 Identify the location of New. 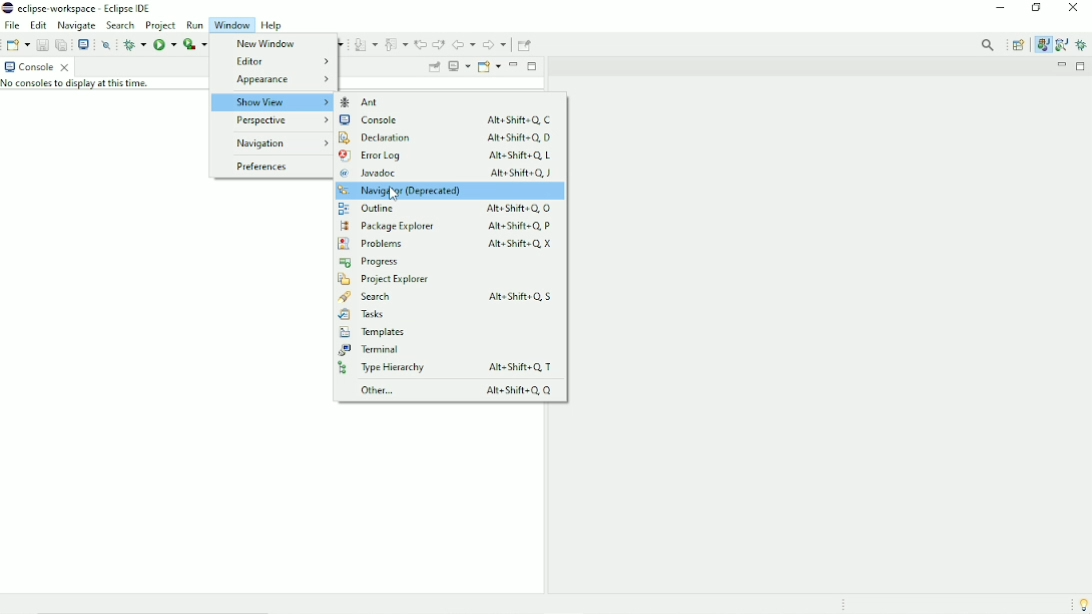
(18, 44).